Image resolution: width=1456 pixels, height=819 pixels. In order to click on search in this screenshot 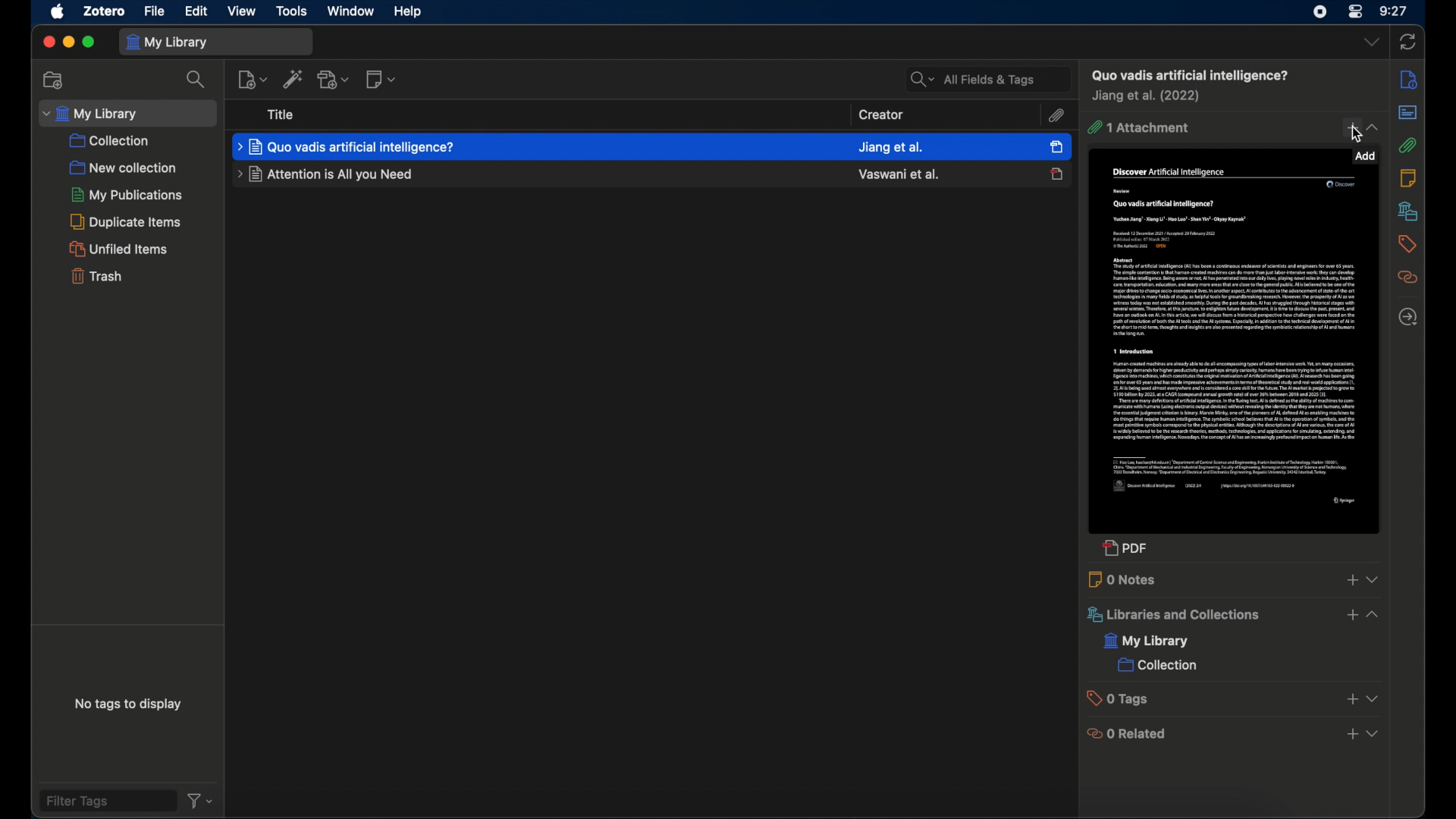, I will do `click(196, 80)`.